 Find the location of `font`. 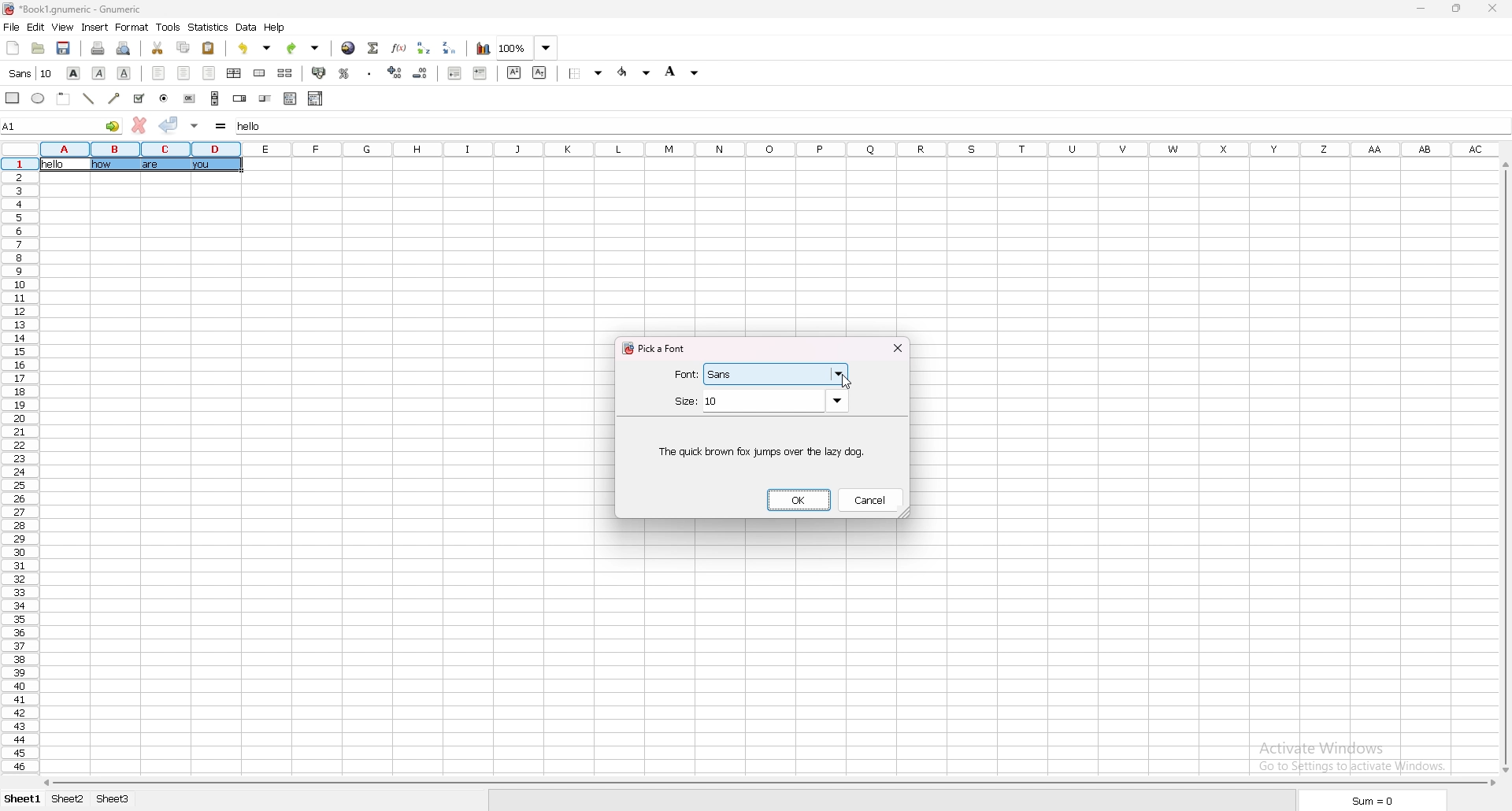

font is located at coordinates (759, 375).